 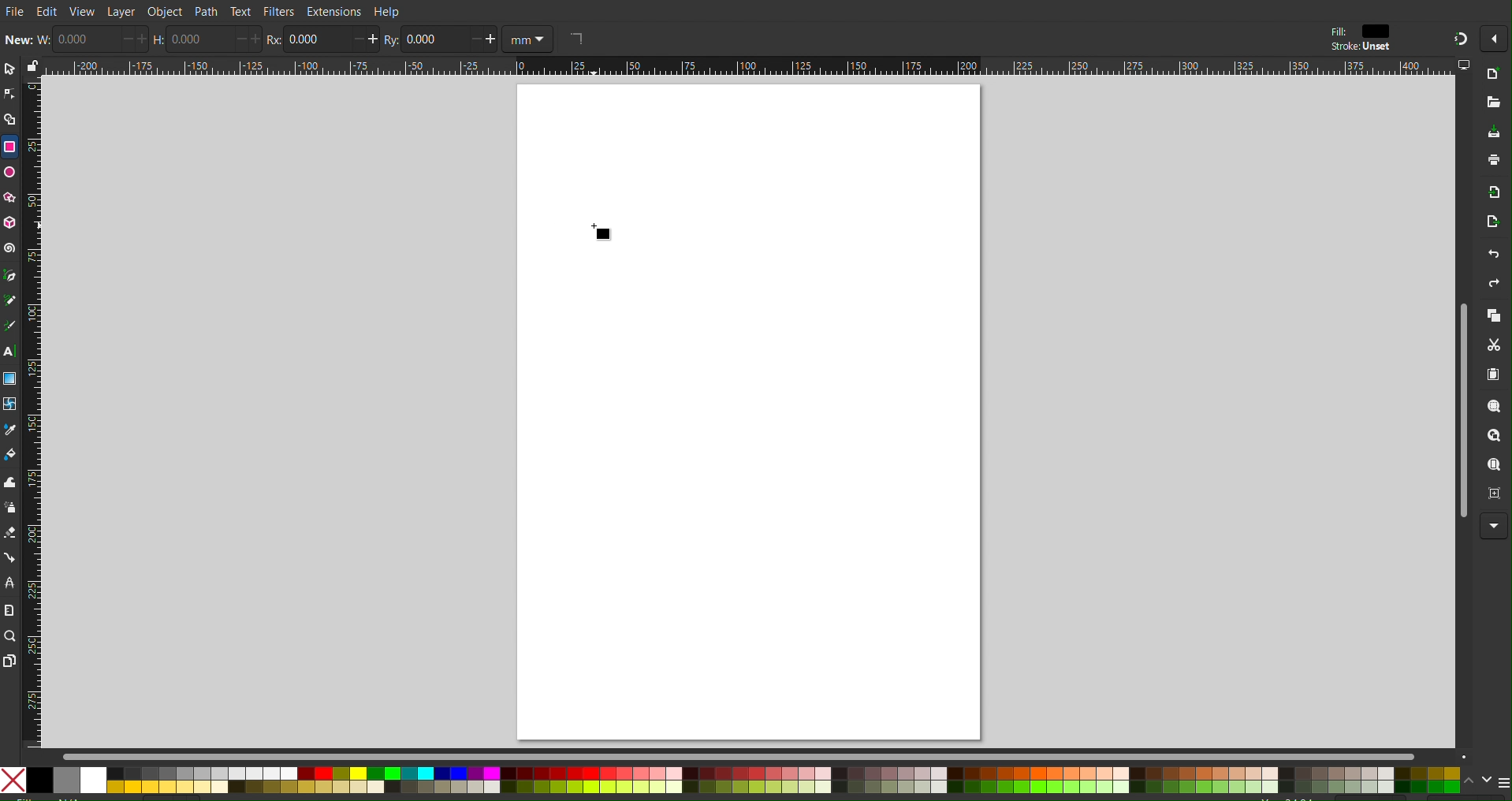 I want to click on RY, so click(x=389, y=40).